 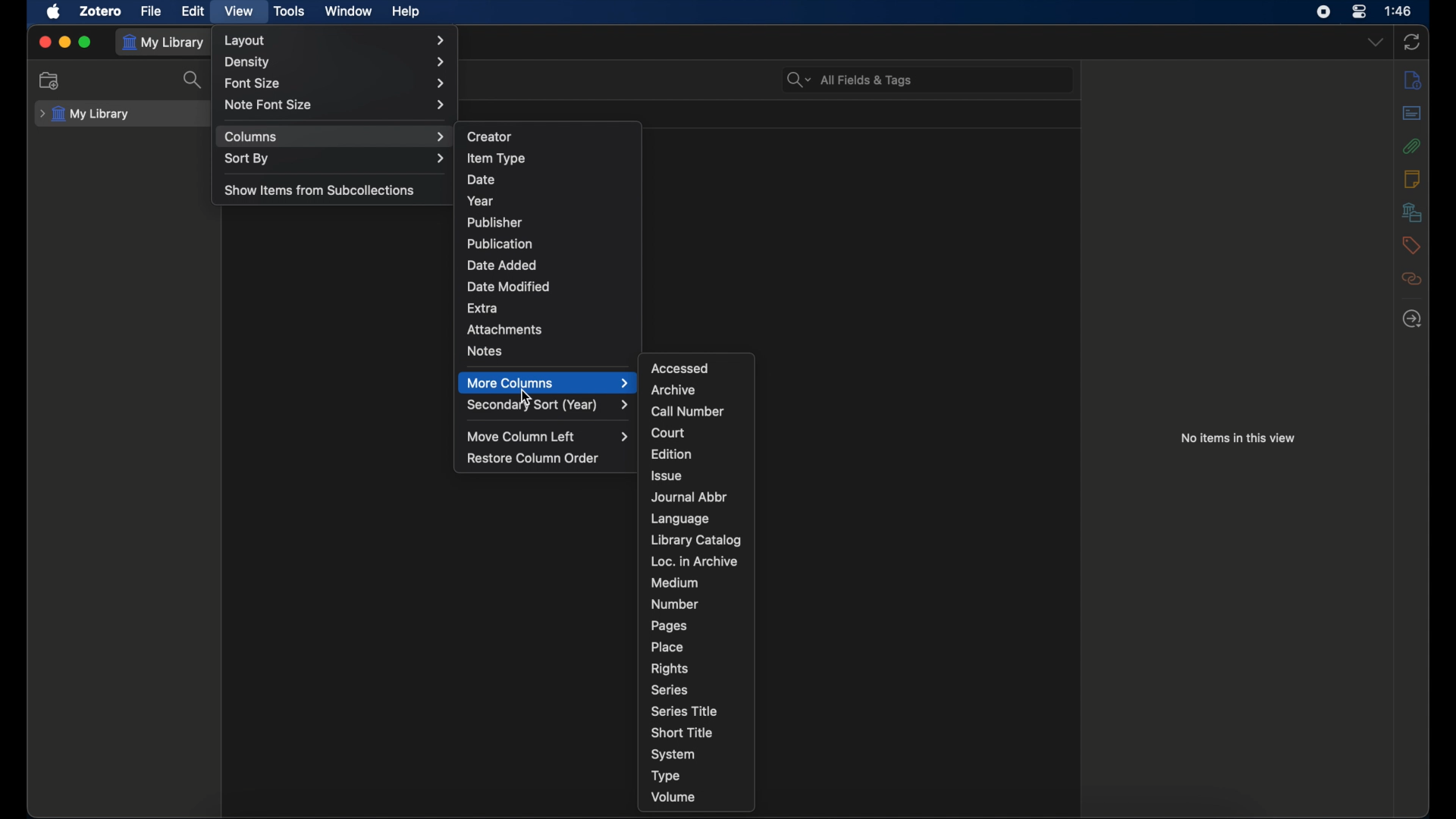 I want to click on tags, so click(x=1409, y=245).